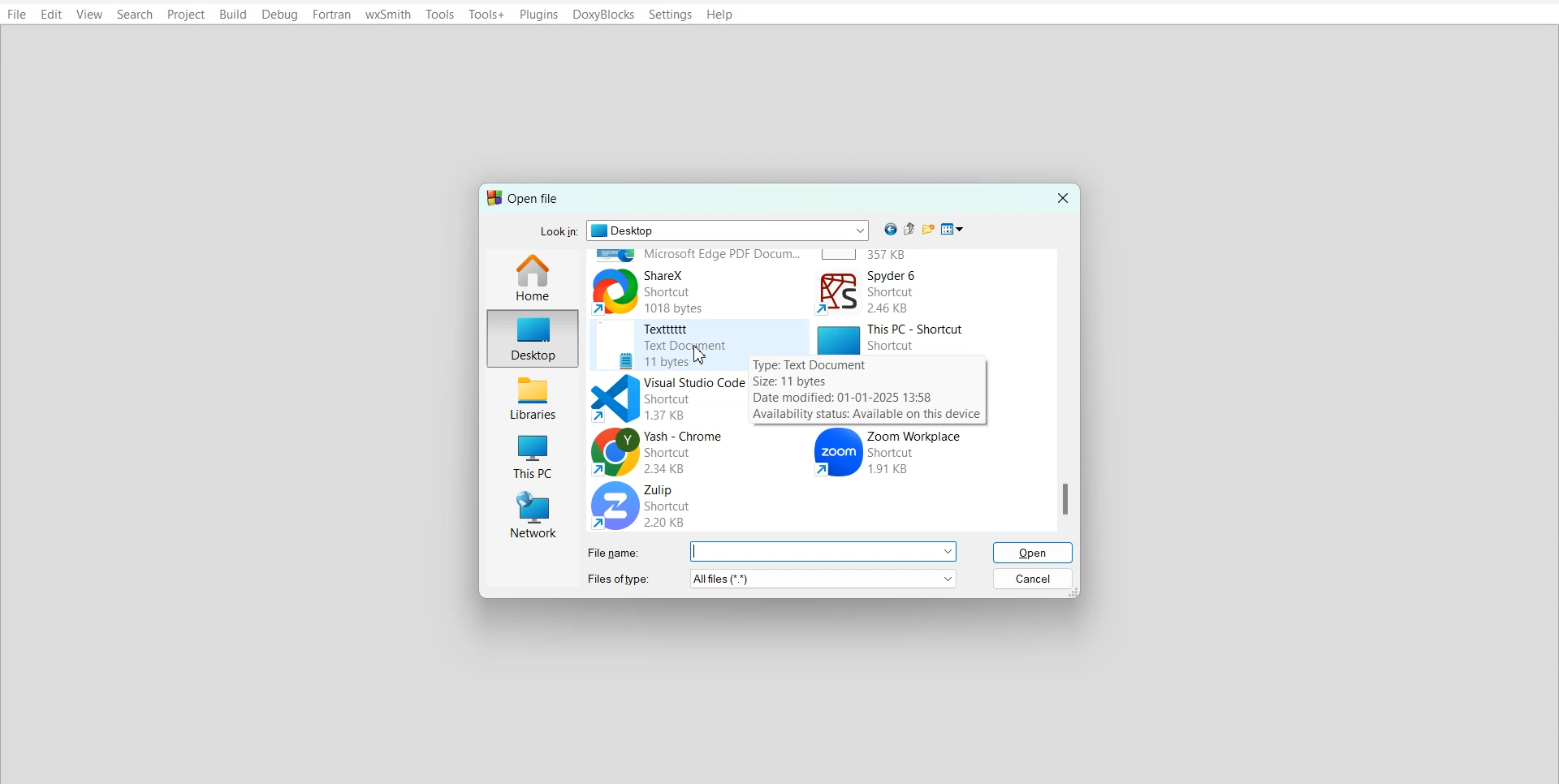 This screenshot has width=1559, height=784. What do you see at coordinates (659, 343) in the screenshot?
I see `File` at bounding box center [659, 343].